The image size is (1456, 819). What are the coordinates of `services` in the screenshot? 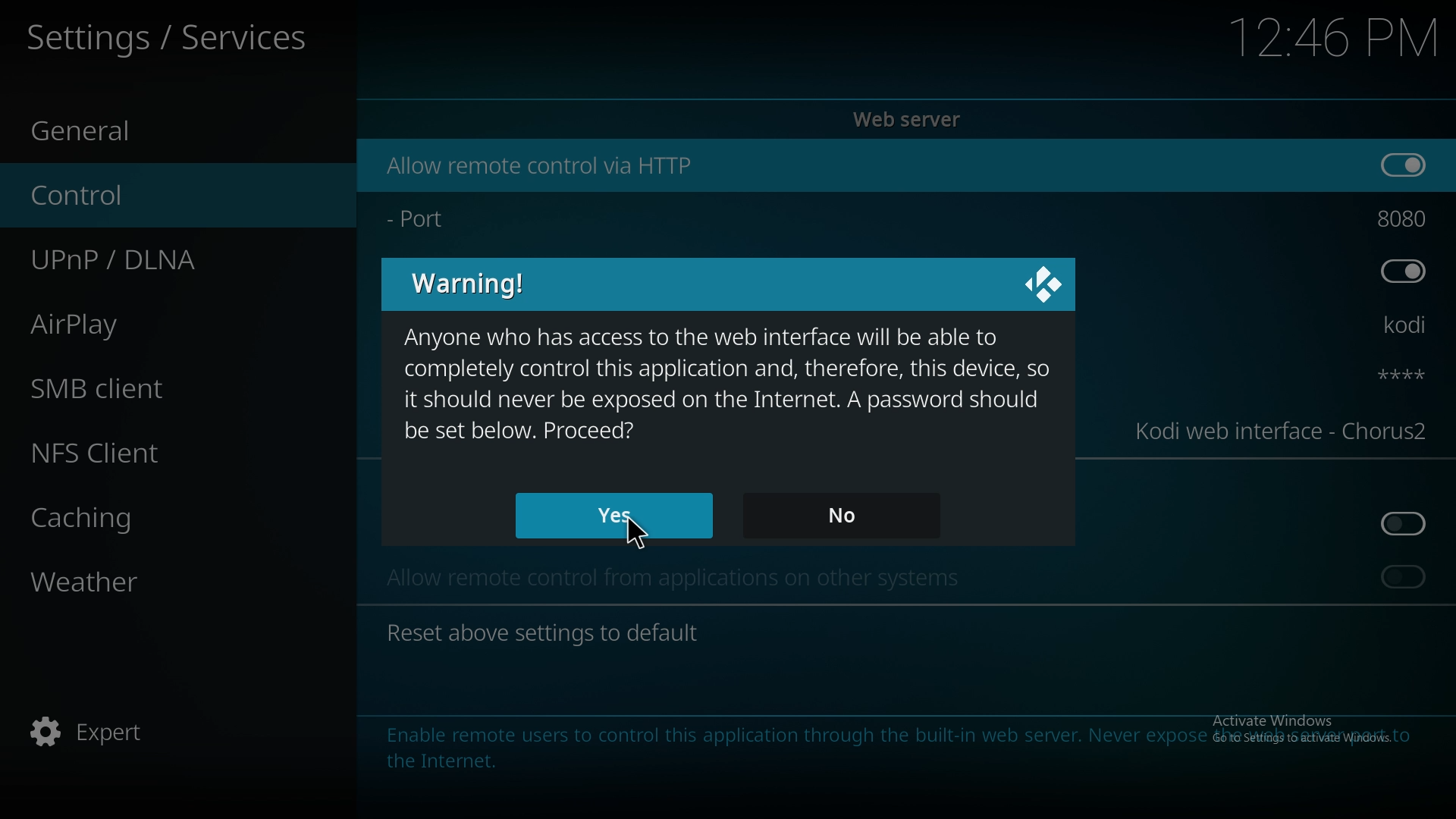 It's located at (174, 36).